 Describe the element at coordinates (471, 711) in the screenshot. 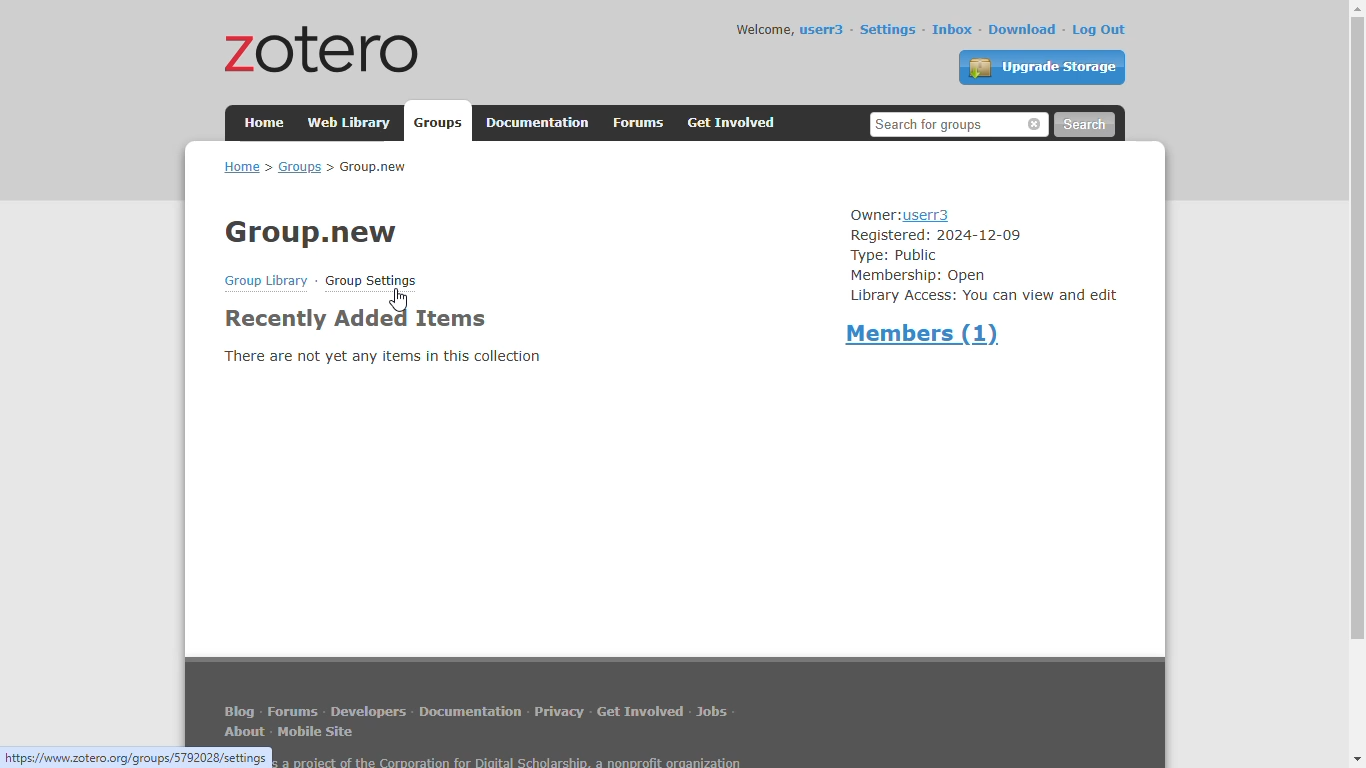

I see `documentation` at that location.